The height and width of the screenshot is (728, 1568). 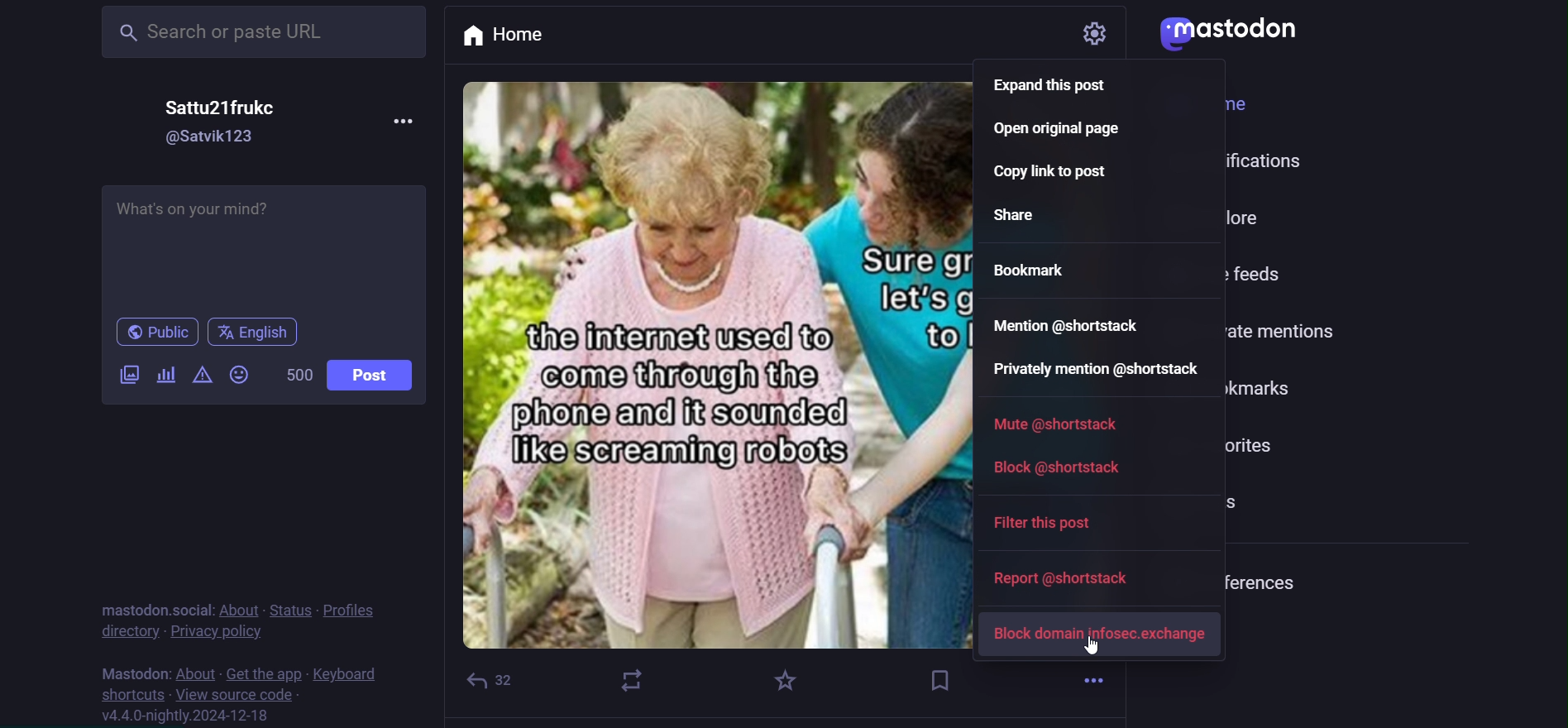 What do you see at coordinates (1050, 523) in the screenshot?
I see `filter this post` at bounding box center [1050, 523].